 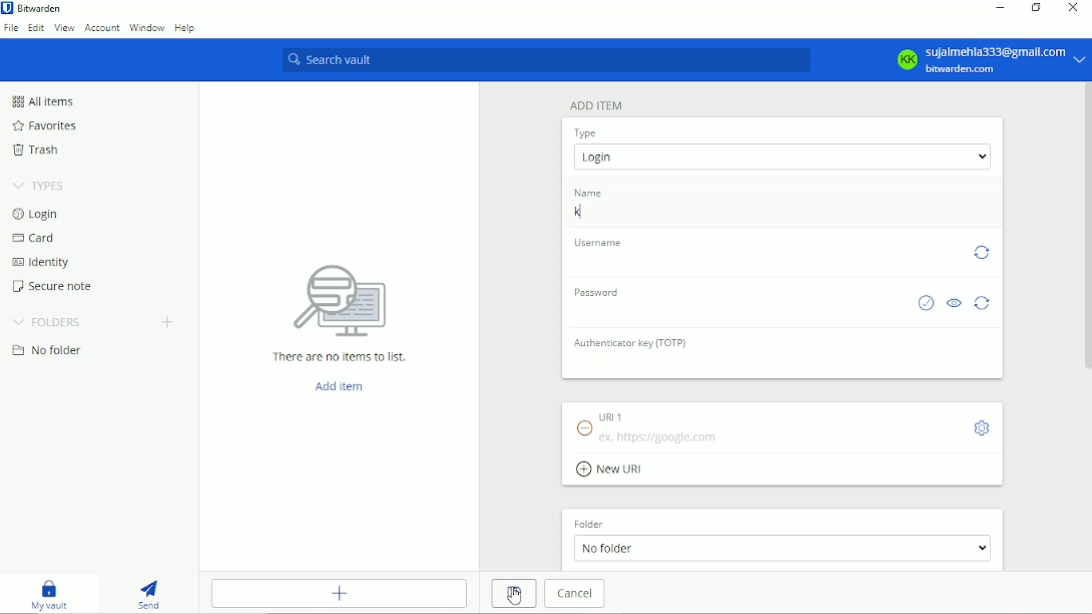 I want to click on Secure note, so click(x=50, y=286).